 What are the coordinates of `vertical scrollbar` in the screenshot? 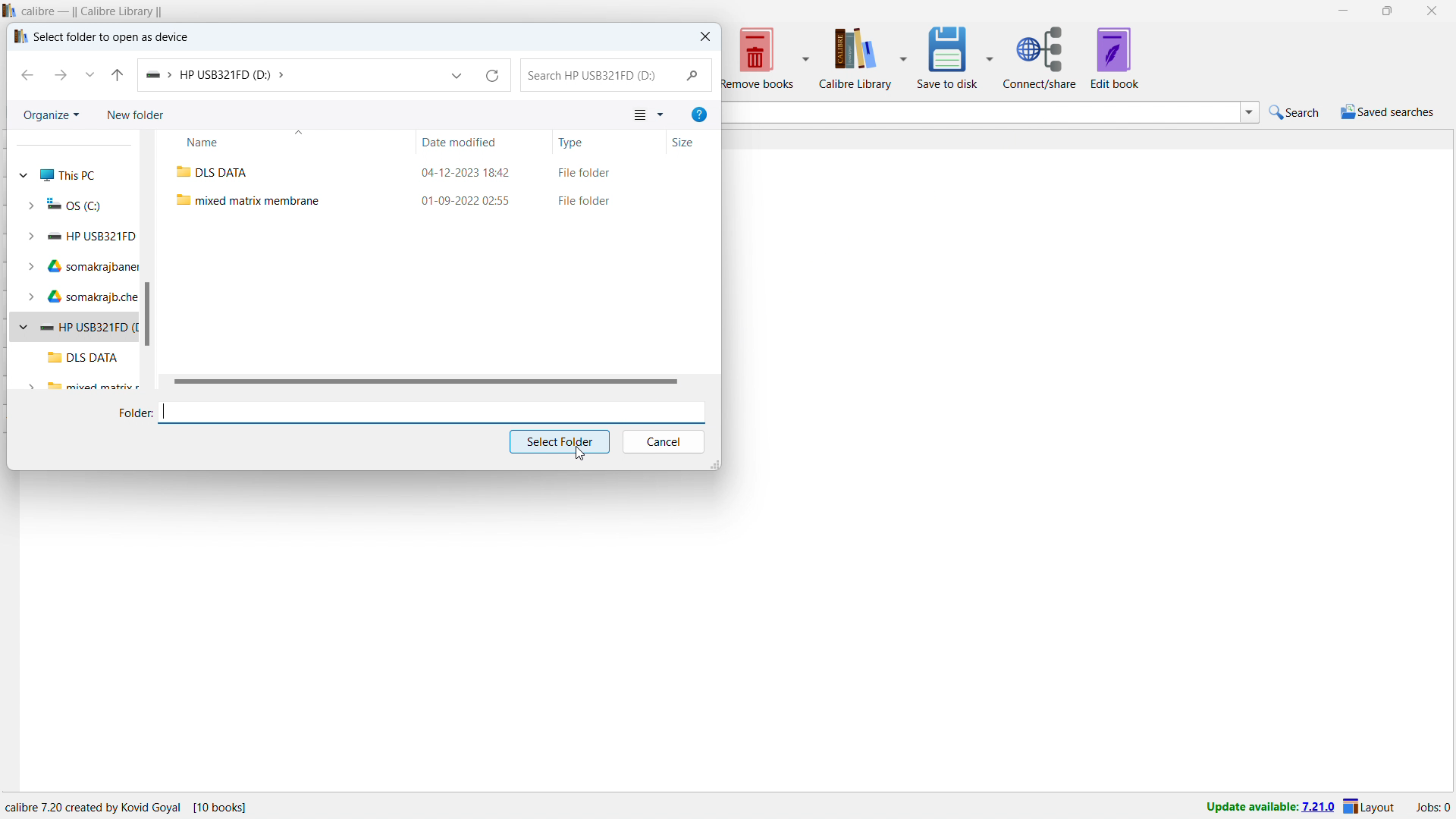 It's located at (147, 313).